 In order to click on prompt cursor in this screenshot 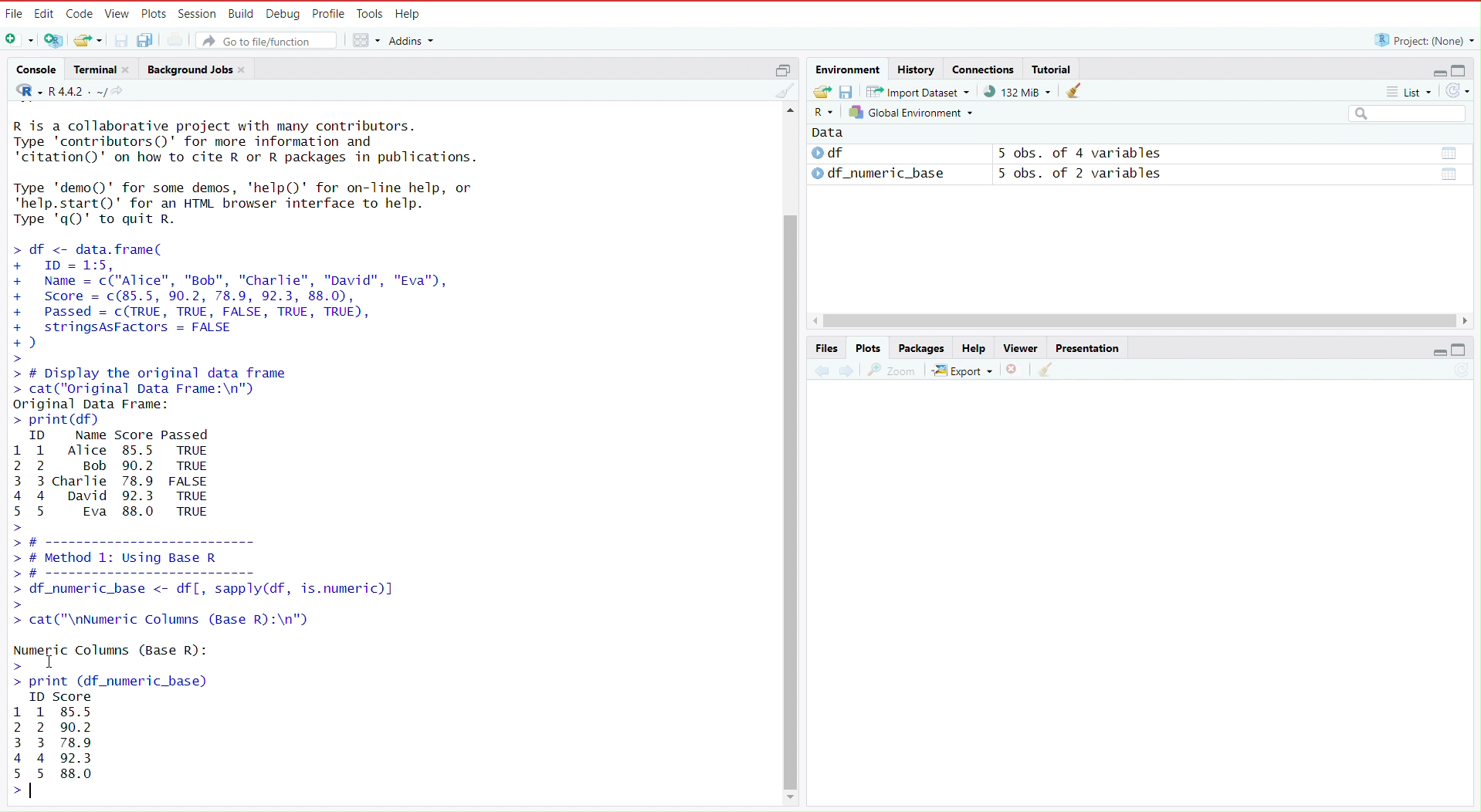, I will do `click(12, 792)`.